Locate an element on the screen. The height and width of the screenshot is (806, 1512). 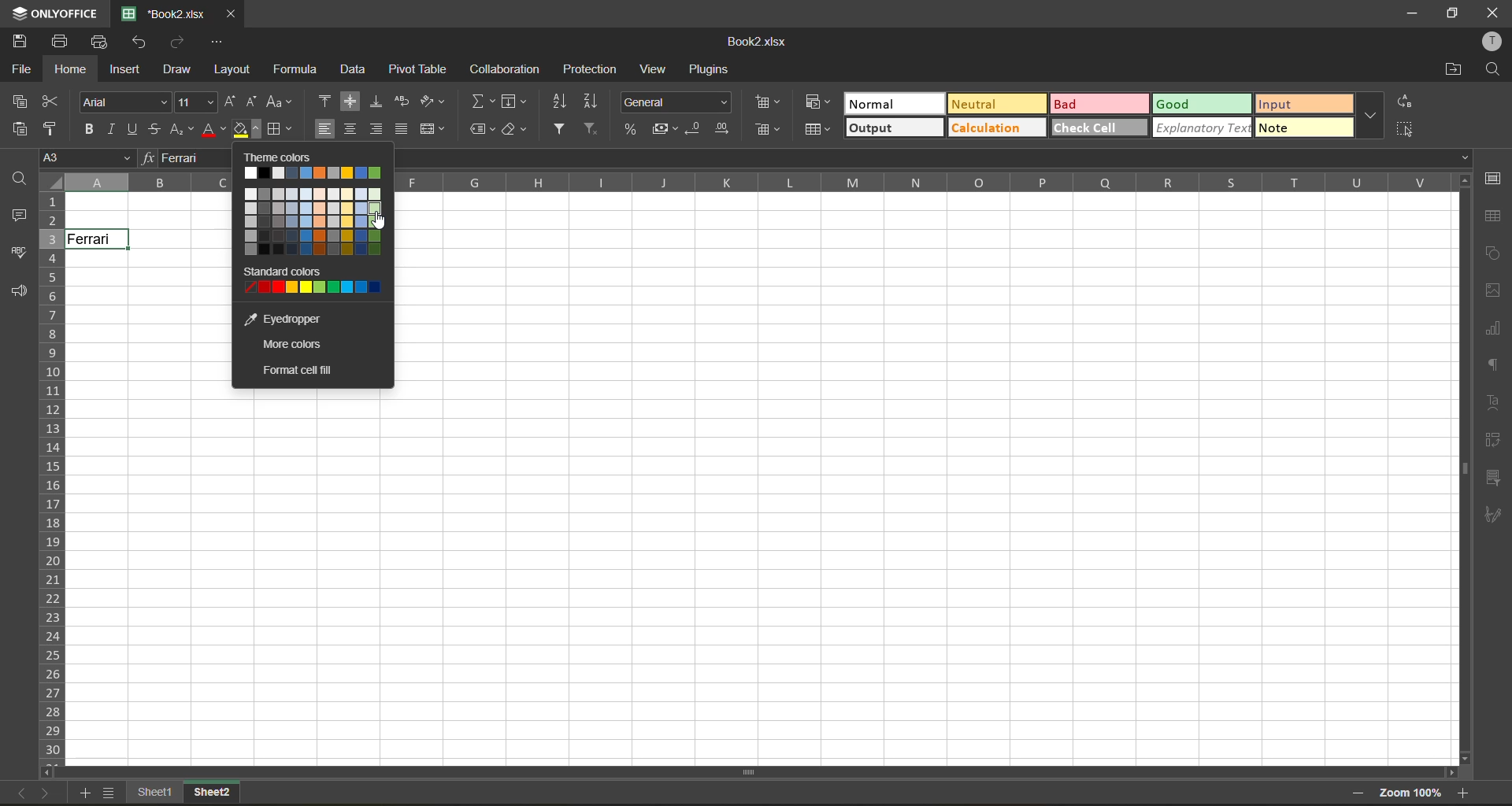
clear filter is located at coordinates (595, 130).